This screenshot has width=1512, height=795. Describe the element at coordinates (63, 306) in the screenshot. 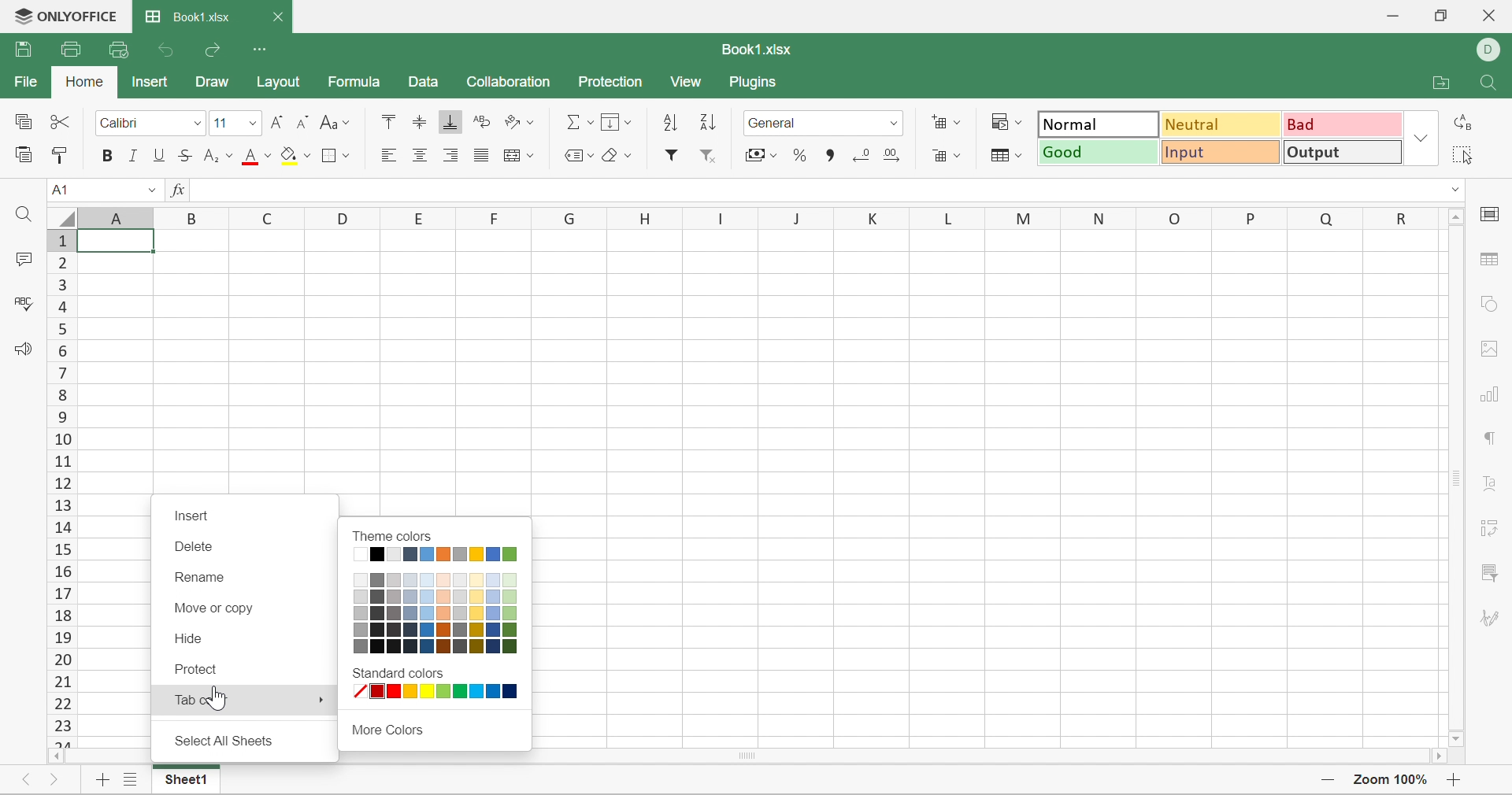

I see `4` at that location.